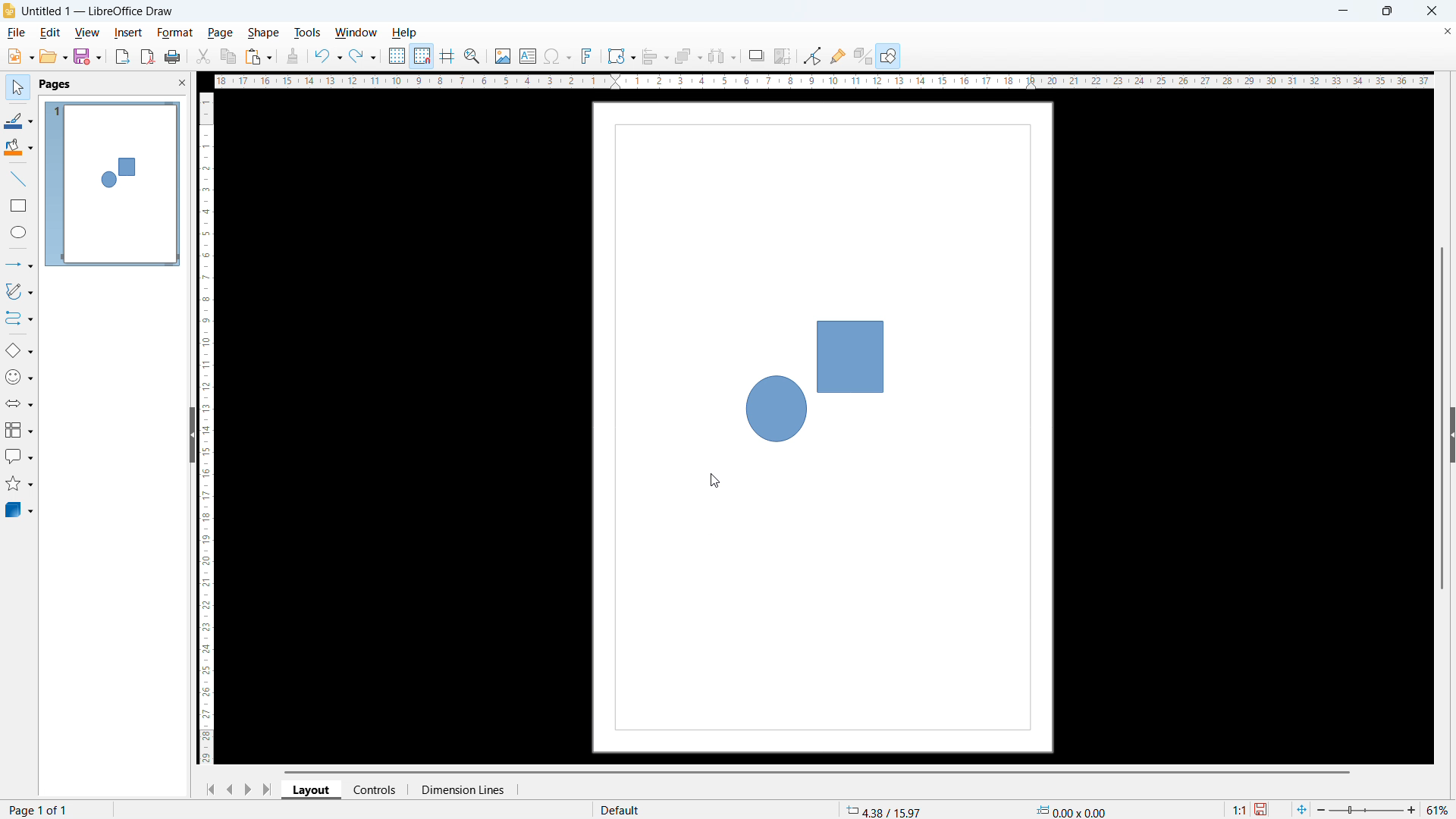 Image resolution: width=1456 pixels, height=819 pixels. What do you see at coordinates (20, 403) in the screenshot?
I see `block arrows` at bounding box center [20, 403].